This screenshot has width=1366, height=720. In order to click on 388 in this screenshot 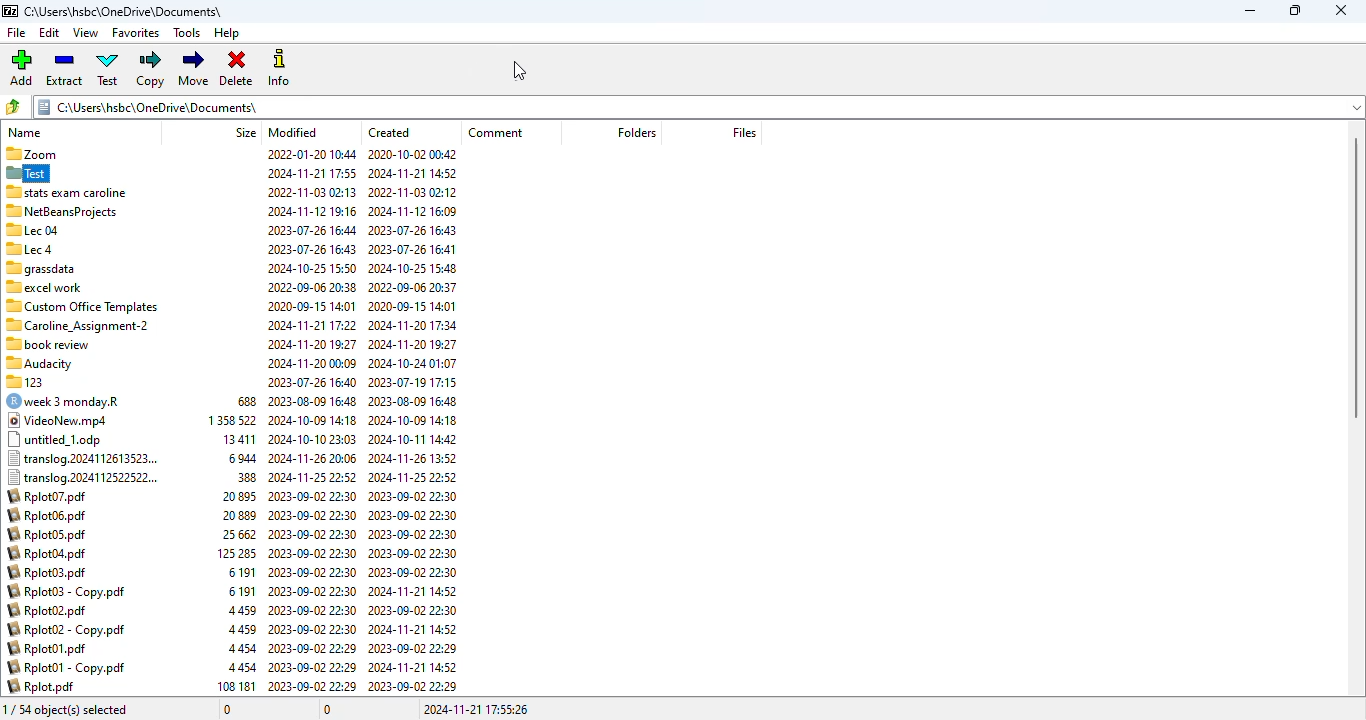, I will do `click(245, 478)`.